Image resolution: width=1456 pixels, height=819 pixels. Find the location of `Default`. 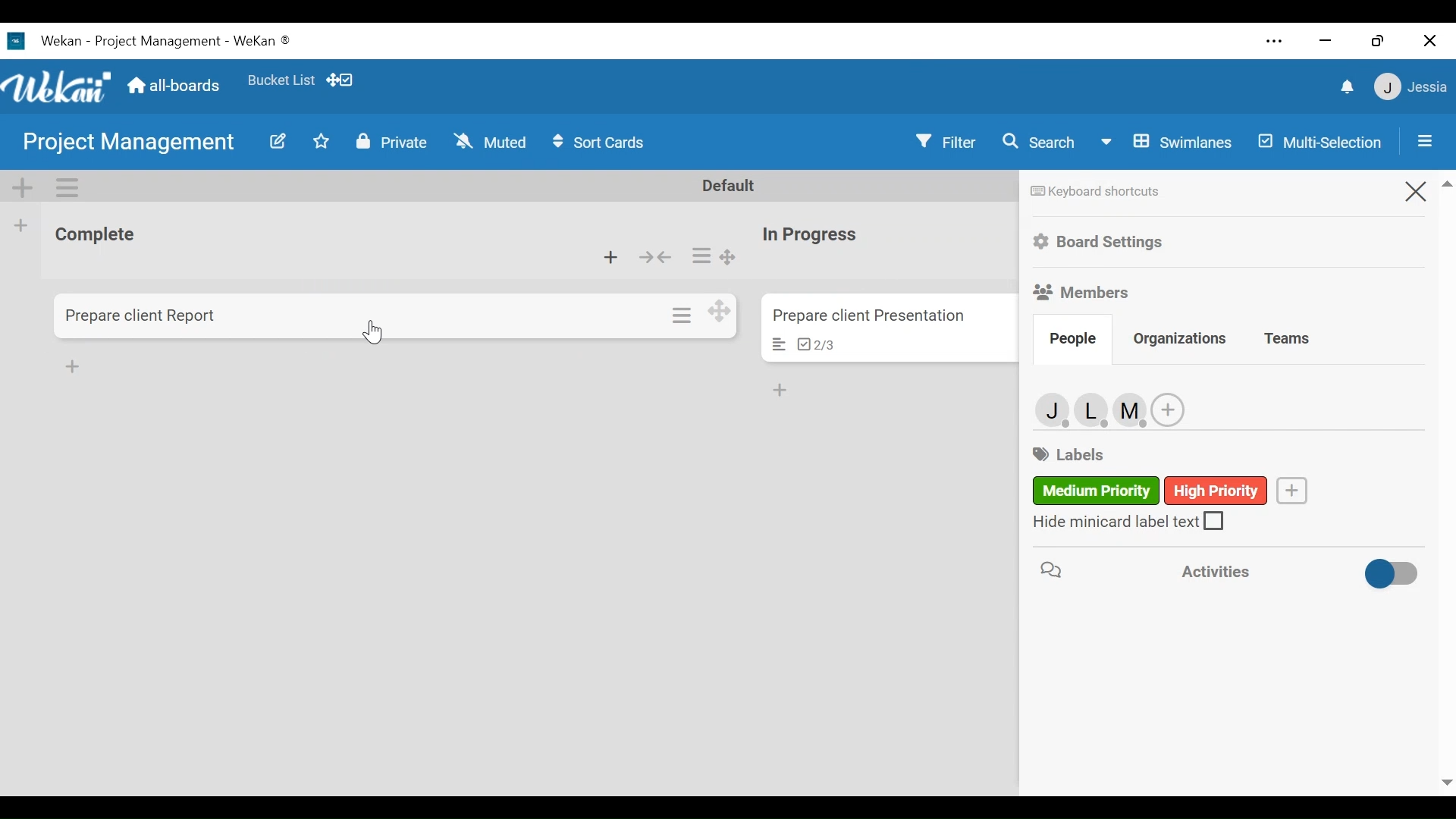

Default is located at coordinates (730, 186).